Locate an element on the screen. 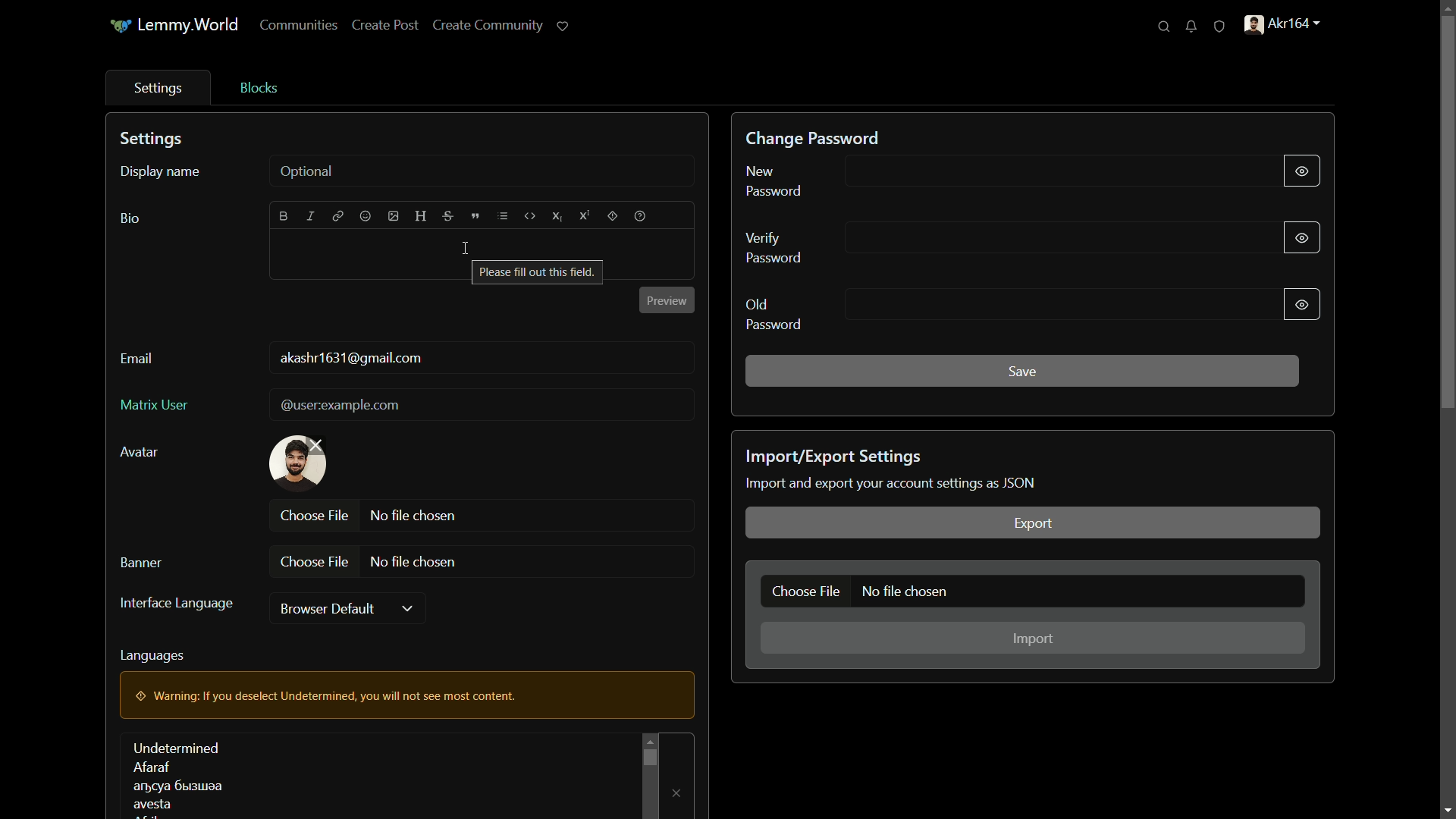  preview is located at coordinates (667, 300).